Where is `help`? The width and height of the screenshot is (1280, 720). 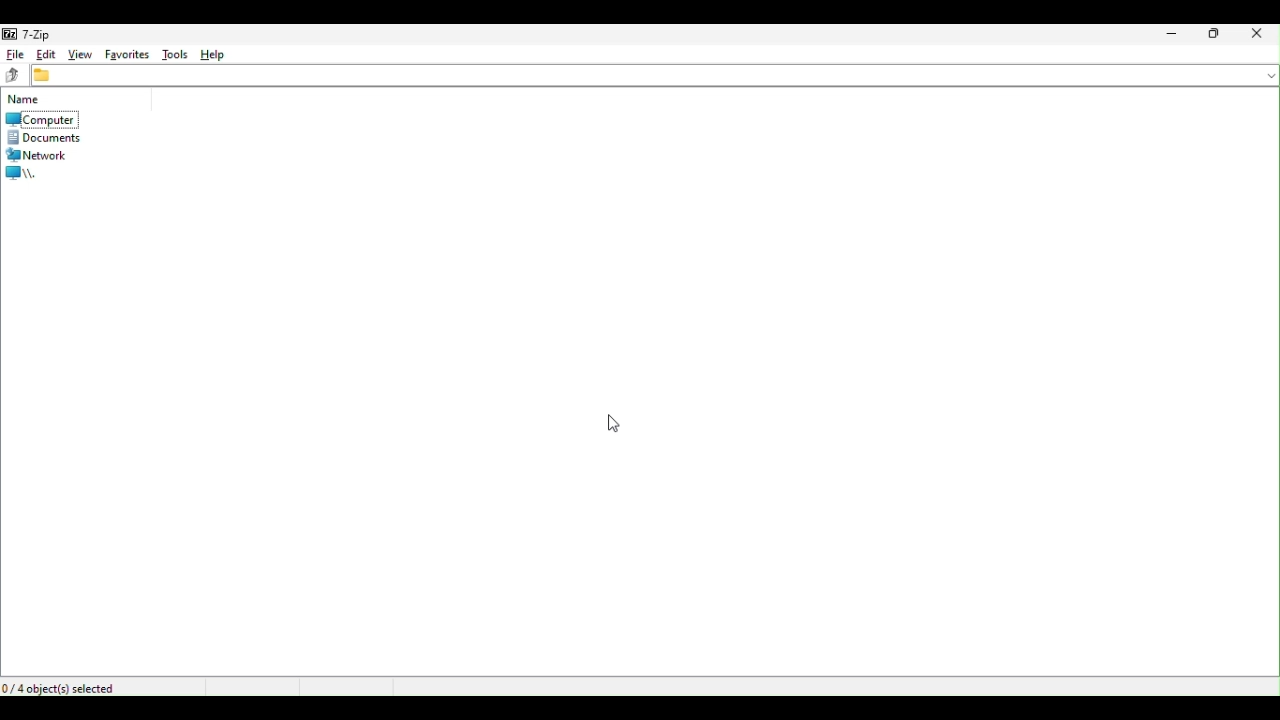 help is located at coordinates (217, 56).